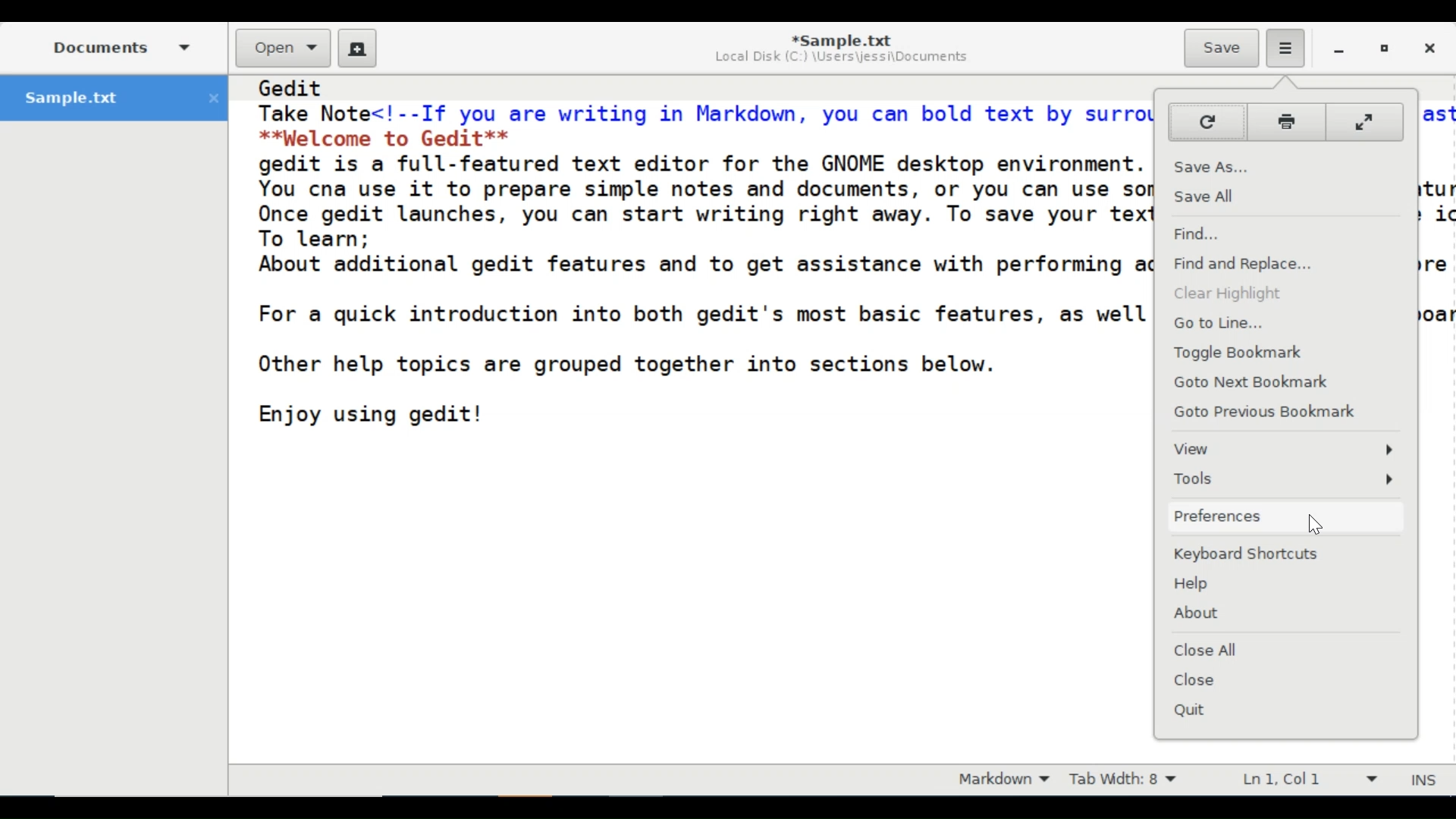 This screenshot has width=1456, height=819. I want to click on Print, so click(1286, 121).